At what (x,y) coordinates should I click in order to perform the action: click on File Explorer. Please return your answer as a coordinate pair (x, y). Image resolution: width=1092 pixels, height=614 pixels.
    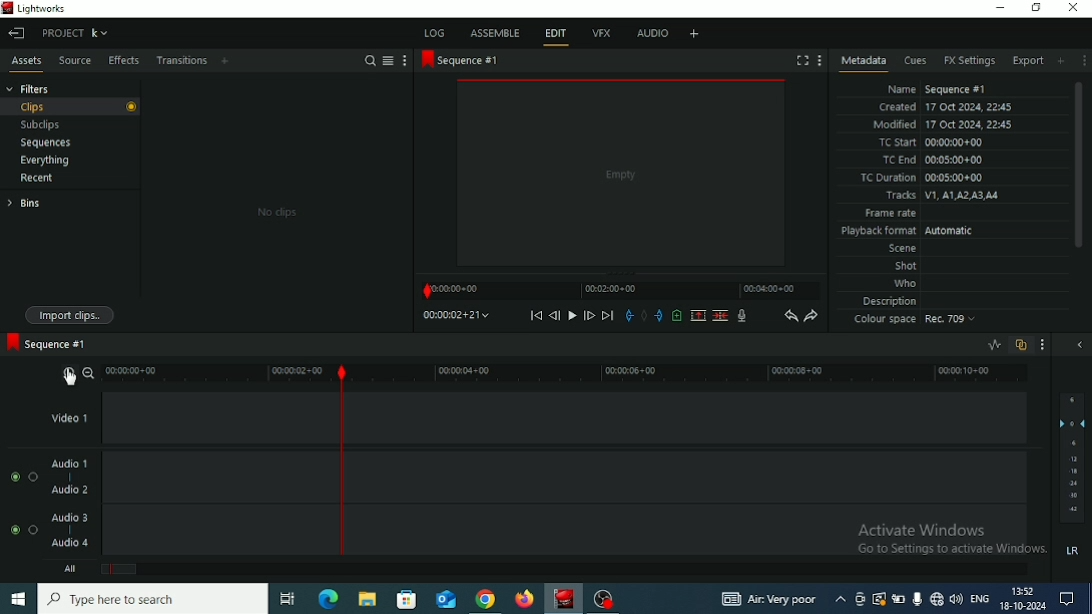
    Looking at the image, I should click on (367, 600).